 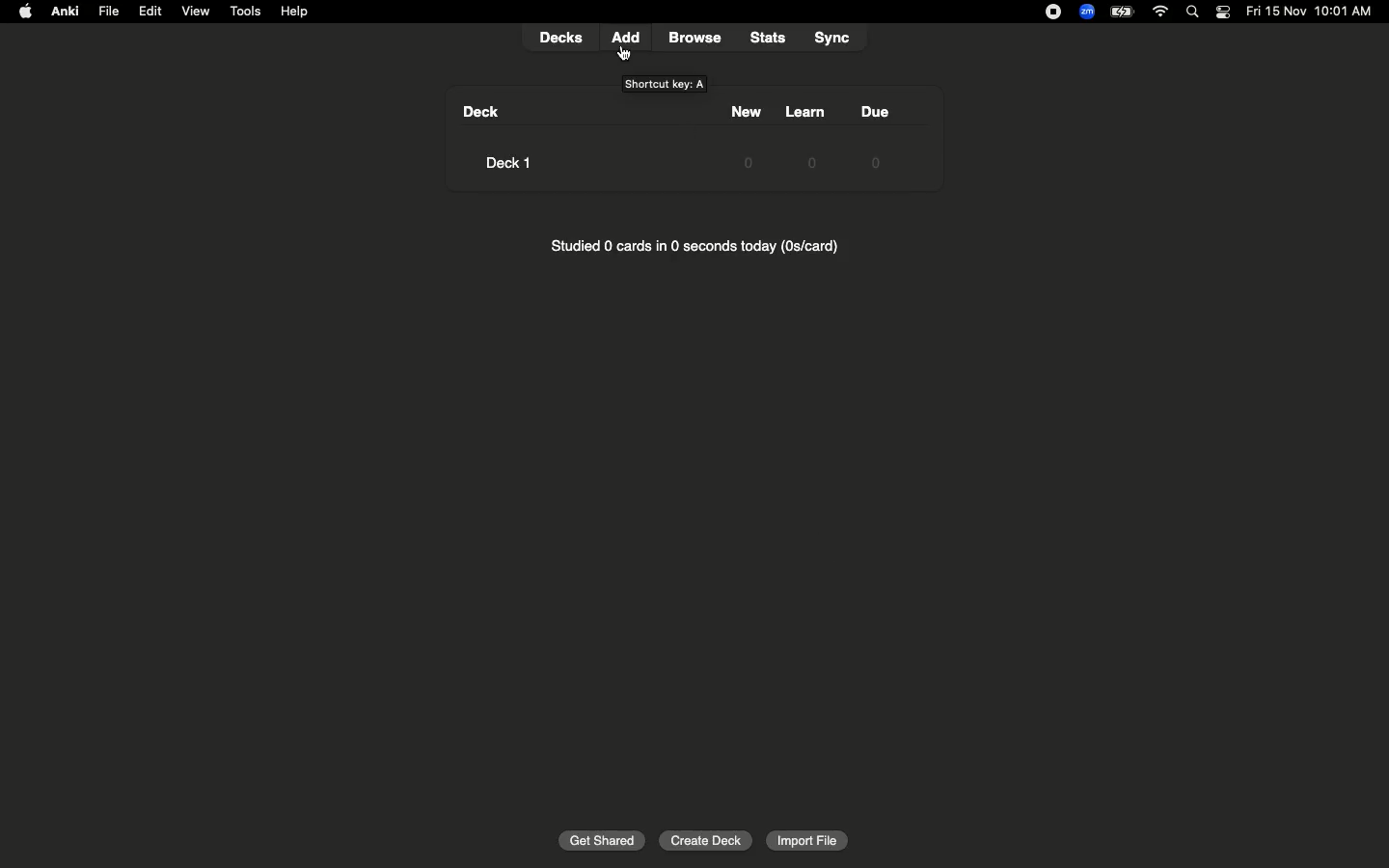 I want to click on Date/time, so click(x=1311, y=14).